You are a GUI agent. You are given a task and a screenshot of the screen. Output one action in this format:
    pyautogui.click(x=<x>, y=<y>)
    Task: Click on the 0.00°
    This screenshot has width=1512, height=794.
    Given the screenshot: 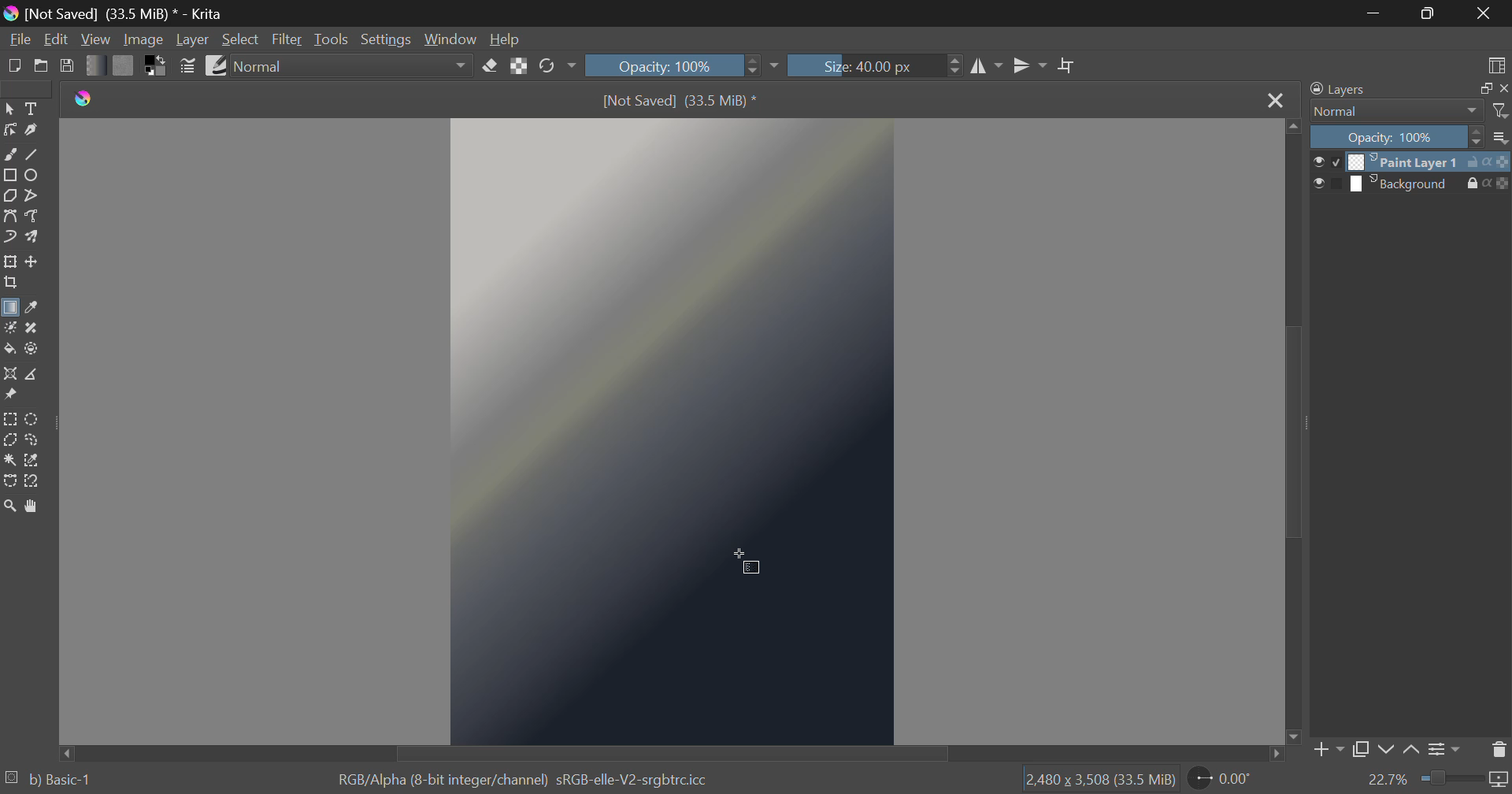 What is the action you would take?
    pyautogui.click(x=1229, y=777)
    